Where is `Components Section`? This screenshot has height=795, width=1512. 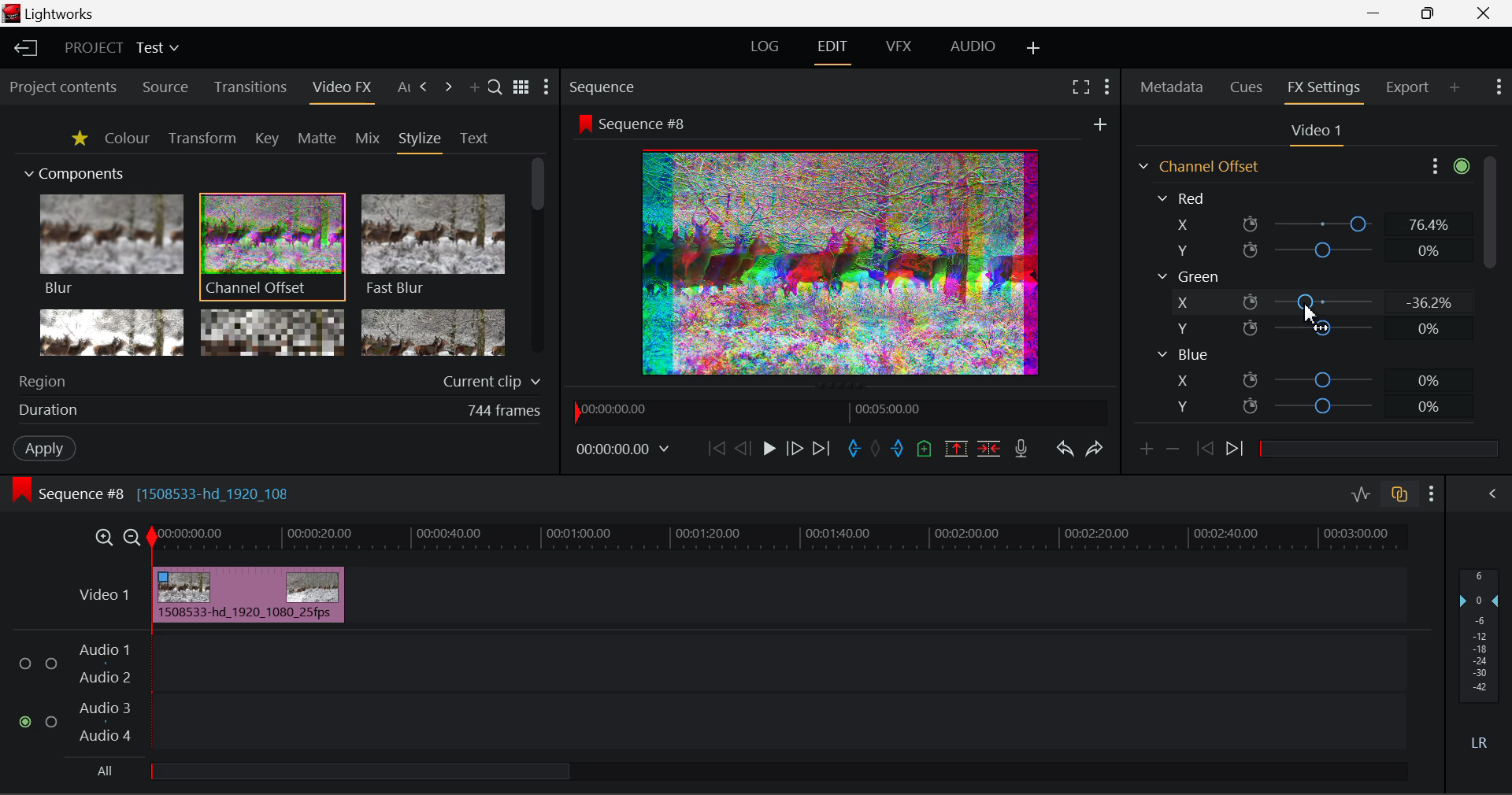 Components Section is located at coordinates (72, 171).